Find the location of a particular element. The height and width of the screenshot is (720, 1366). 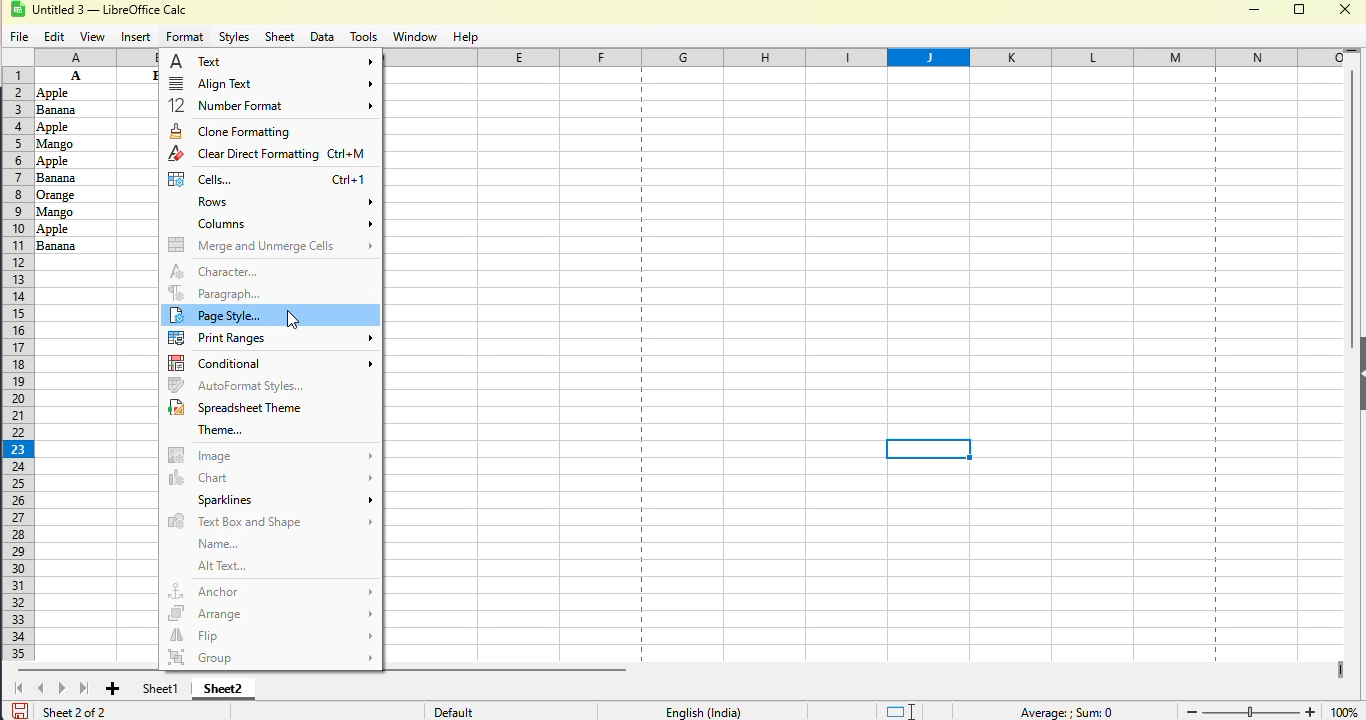

maximize is located at coordinates (1301, 9).